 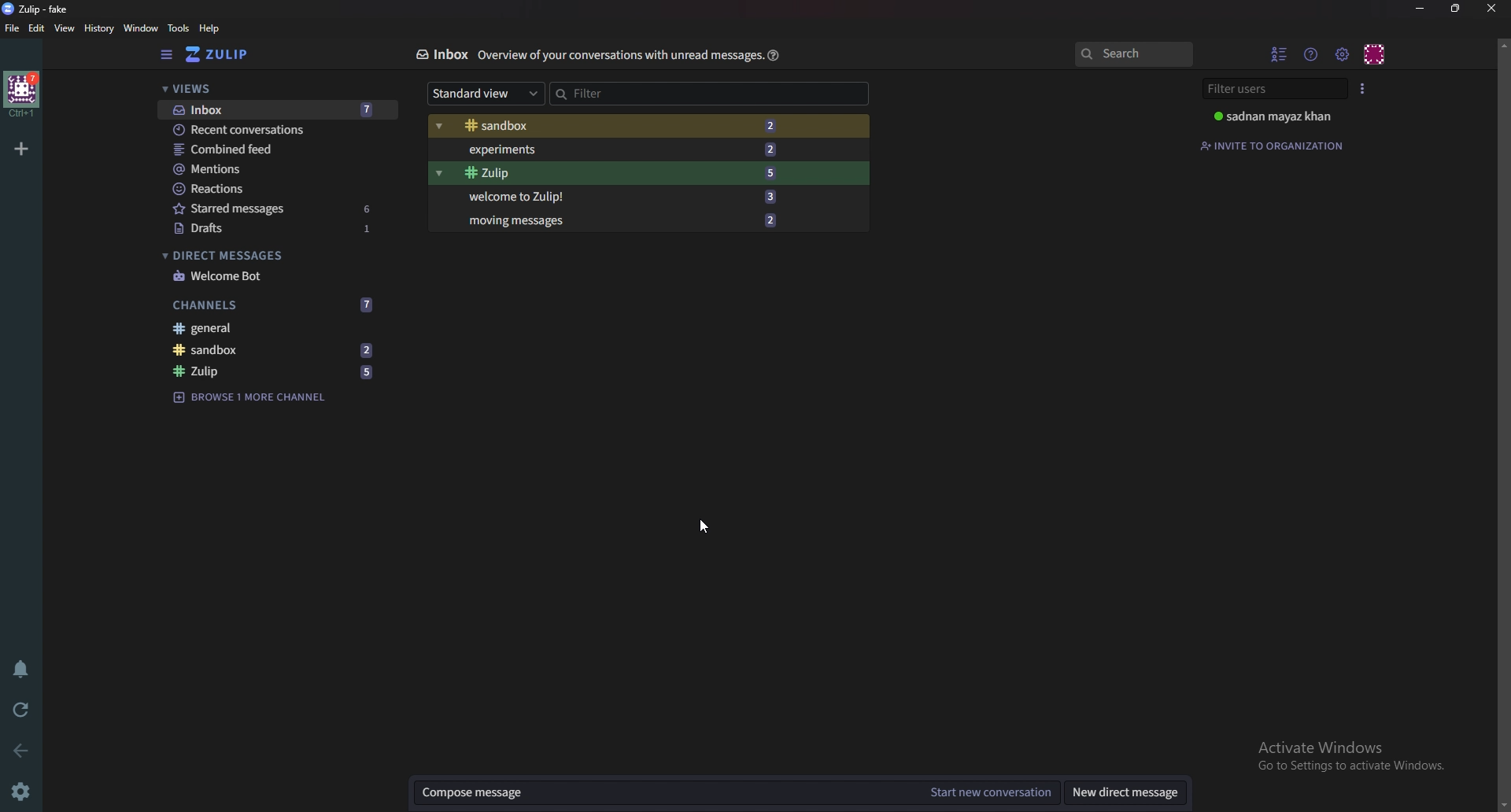 I want to click on Cursor, so click(x=706, y=526).